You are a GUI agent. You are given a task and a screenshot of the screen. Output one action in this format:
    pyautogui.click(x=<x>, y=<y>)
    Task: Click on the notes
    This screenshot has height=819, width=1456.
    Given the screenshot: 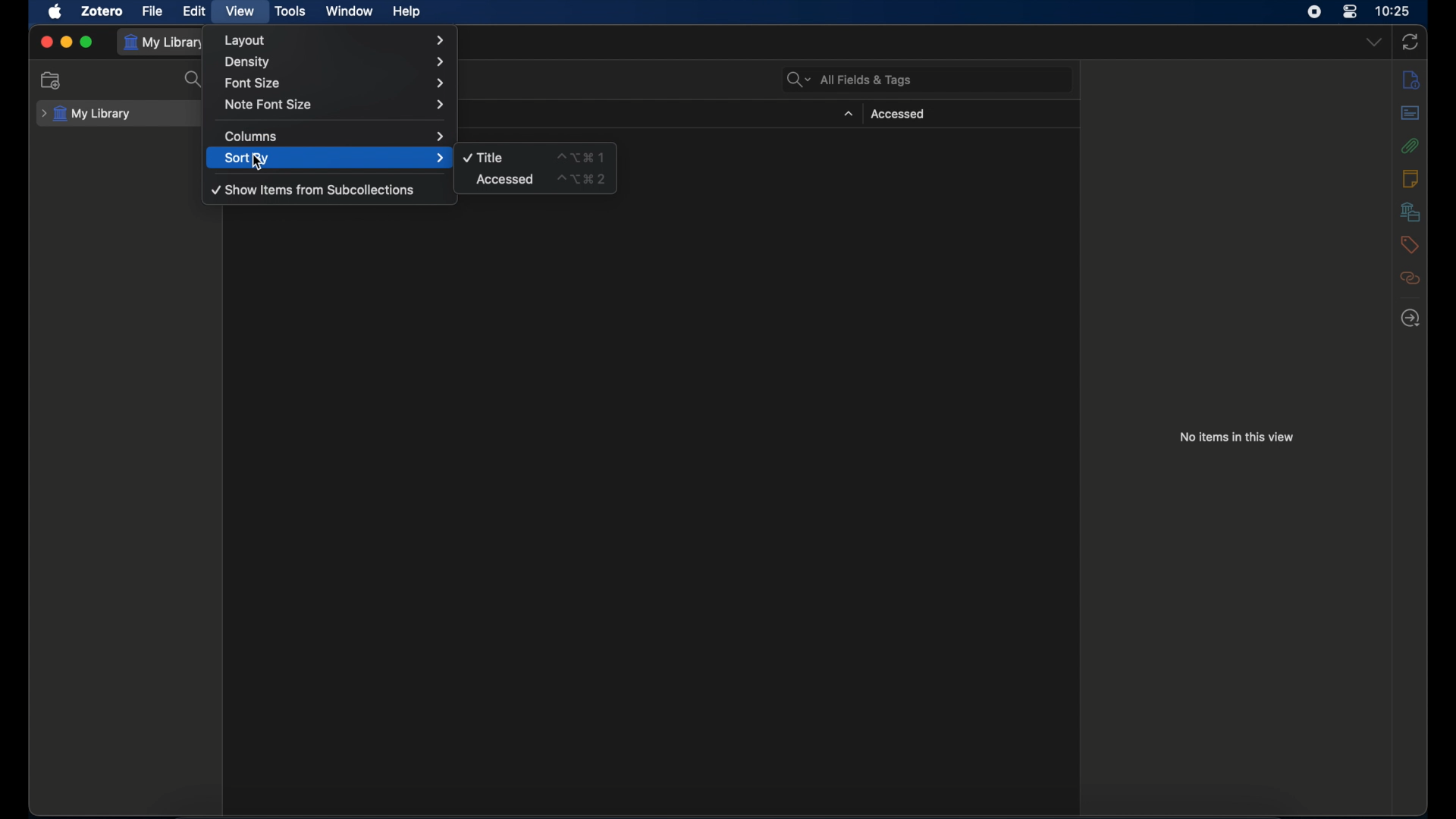 What is the action you would take?
    pyautogui.click(x=1410, y=177)
    